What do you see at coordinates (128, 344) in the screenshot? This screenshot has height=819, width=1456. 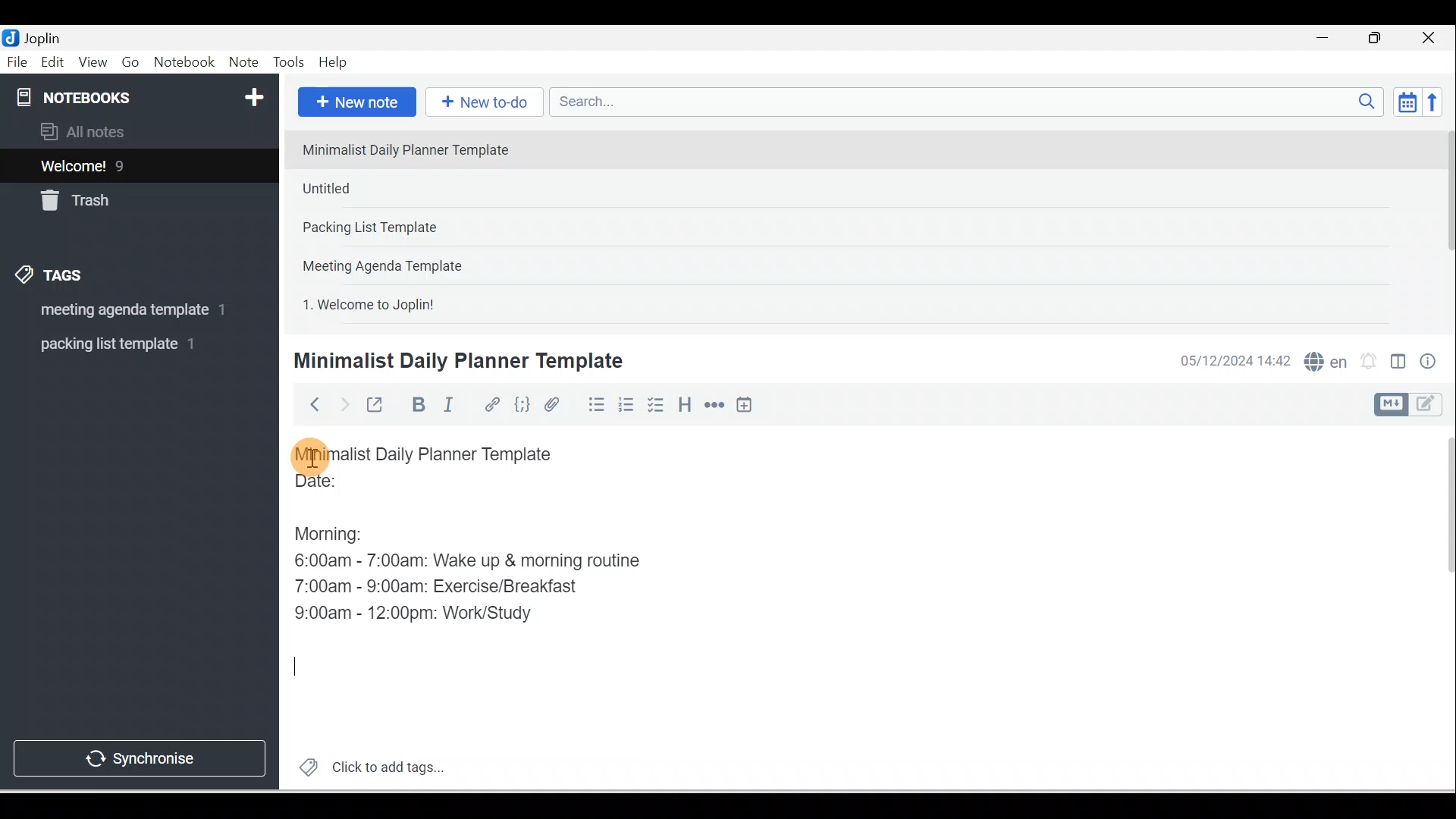 I see `Tag 2` at bounding box center [128, 344].